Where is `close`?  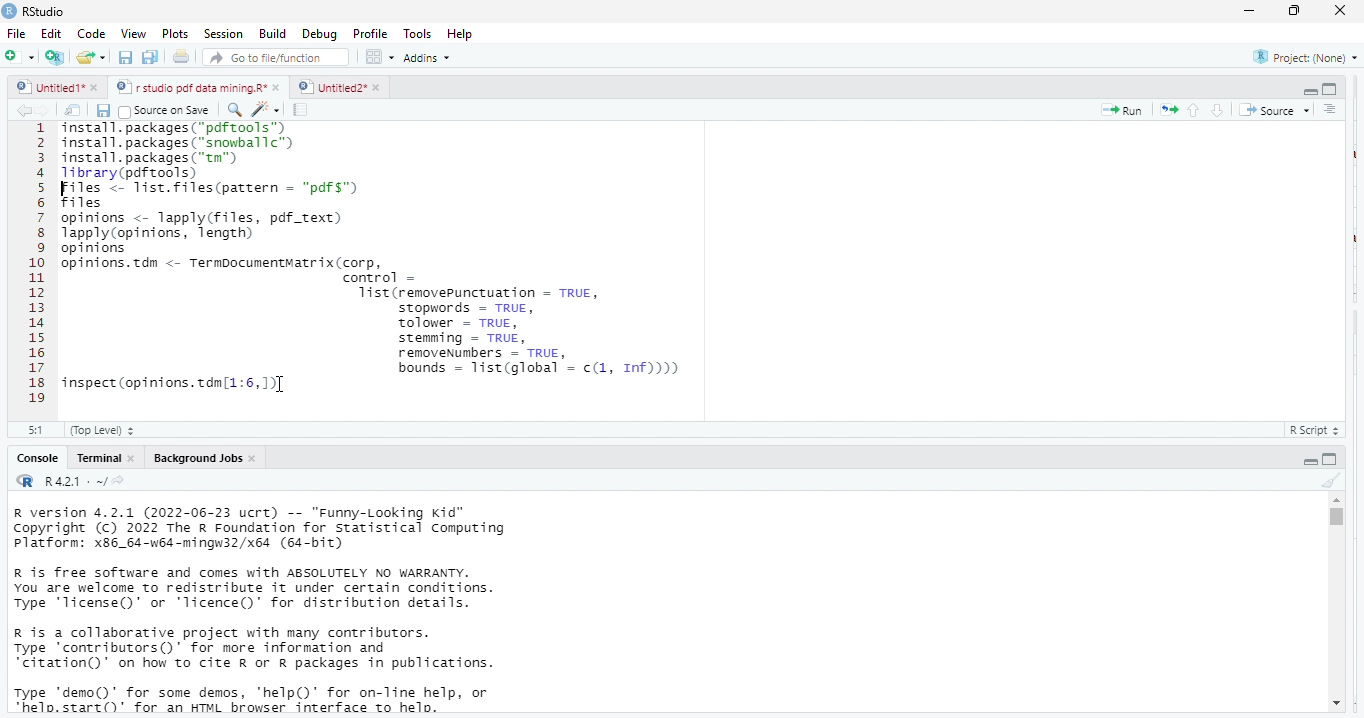
close is located at coordinates (278, 88).